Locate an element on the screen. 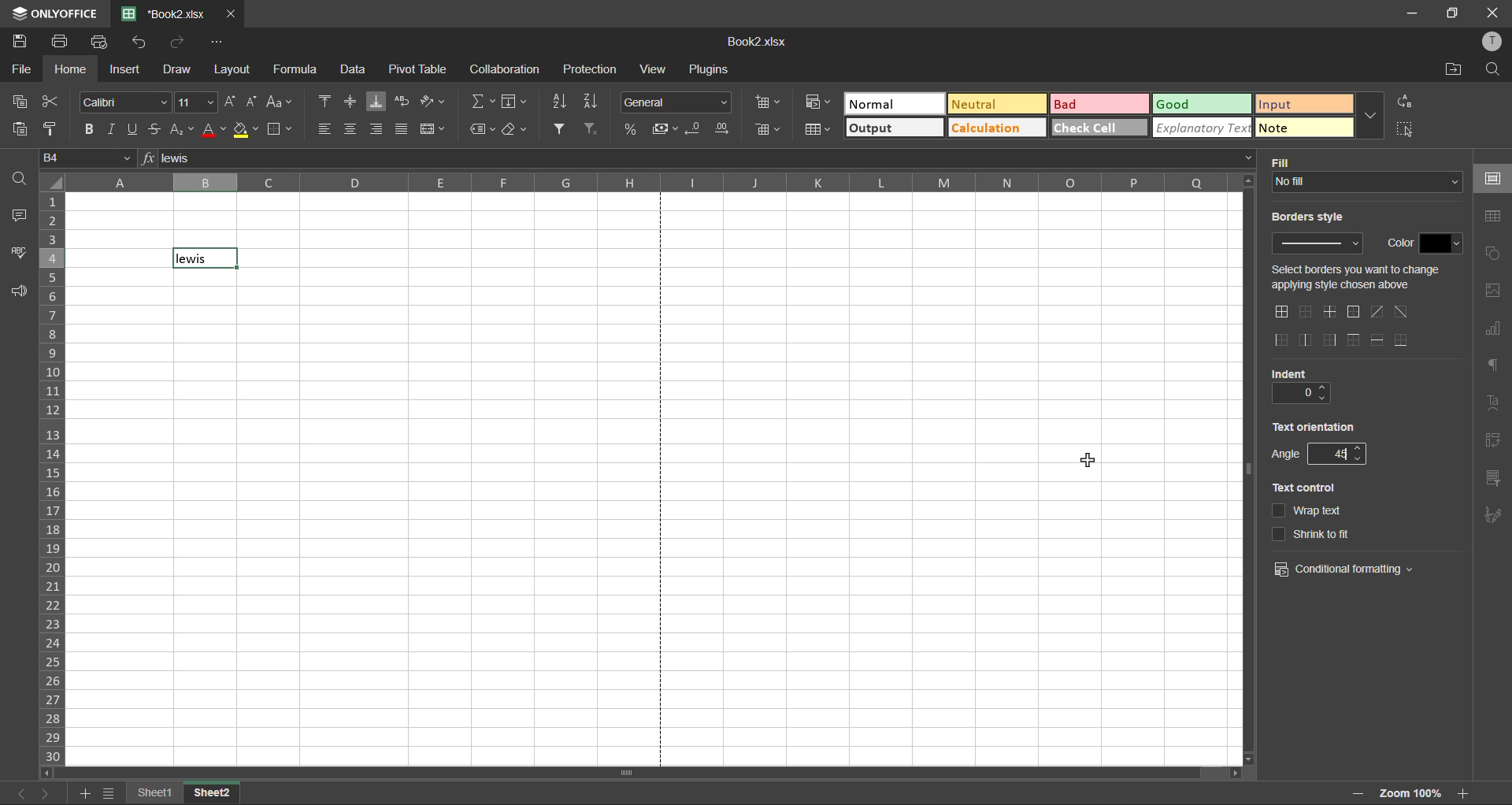 The image size is (1512, 805). increase angle is located at coordinates (1361, 447).